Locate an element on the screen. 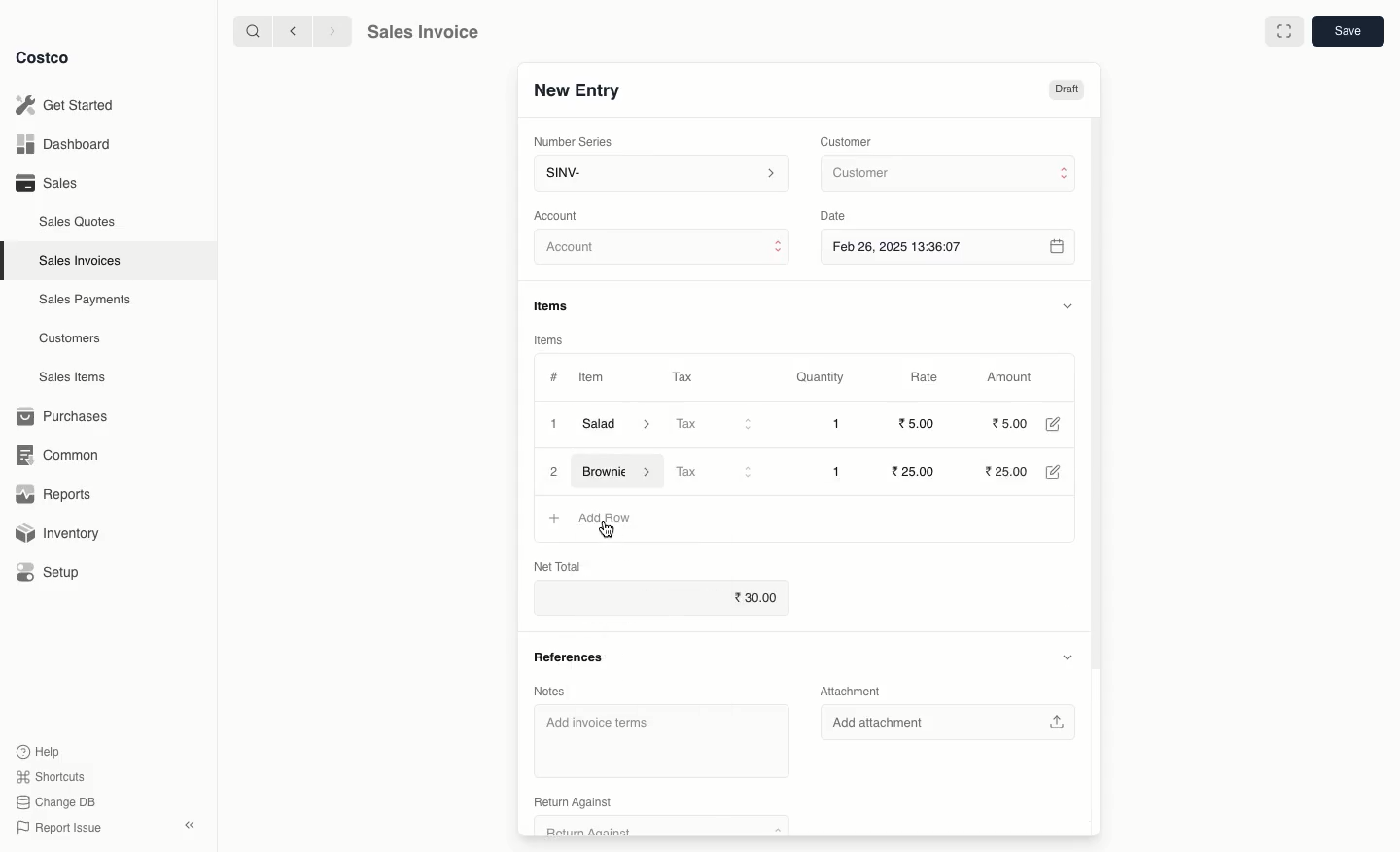 The width and height of the screenshot is (1400, 852). Amount is located at coordinates (1015, 377).